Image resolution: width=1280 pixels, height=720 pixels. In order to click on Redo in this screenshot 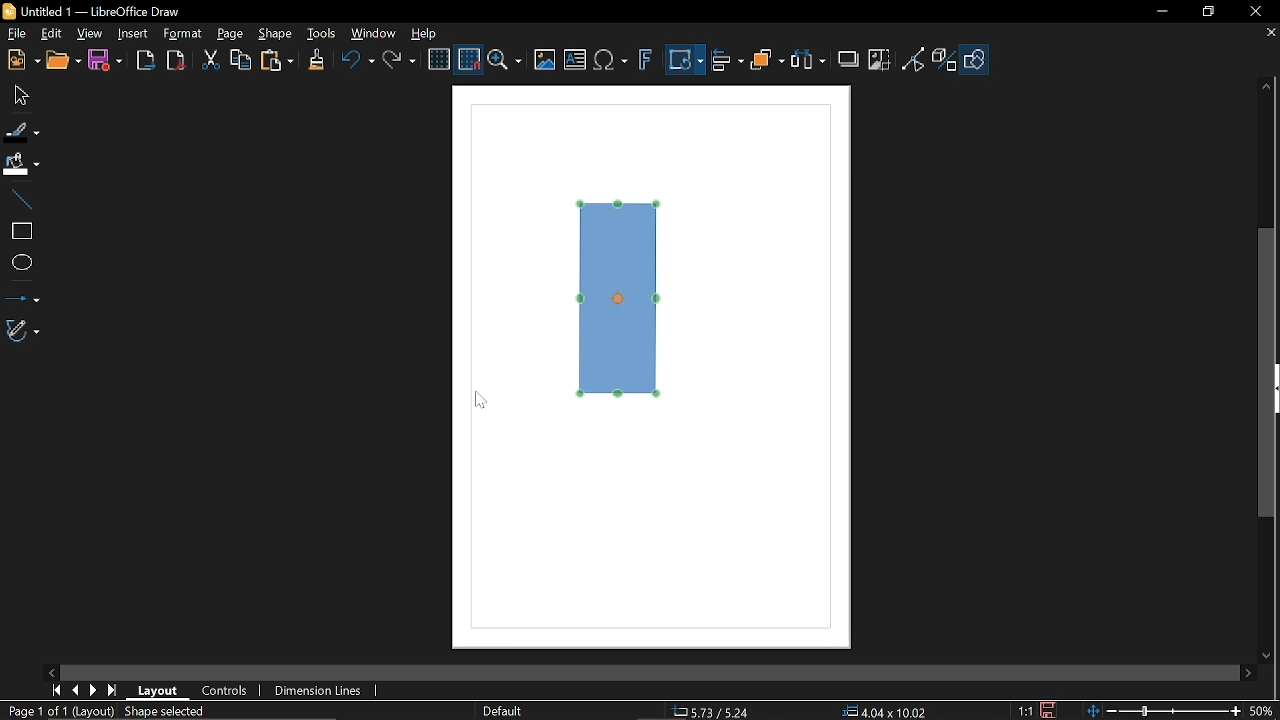, I will do `click(398, 62)`.